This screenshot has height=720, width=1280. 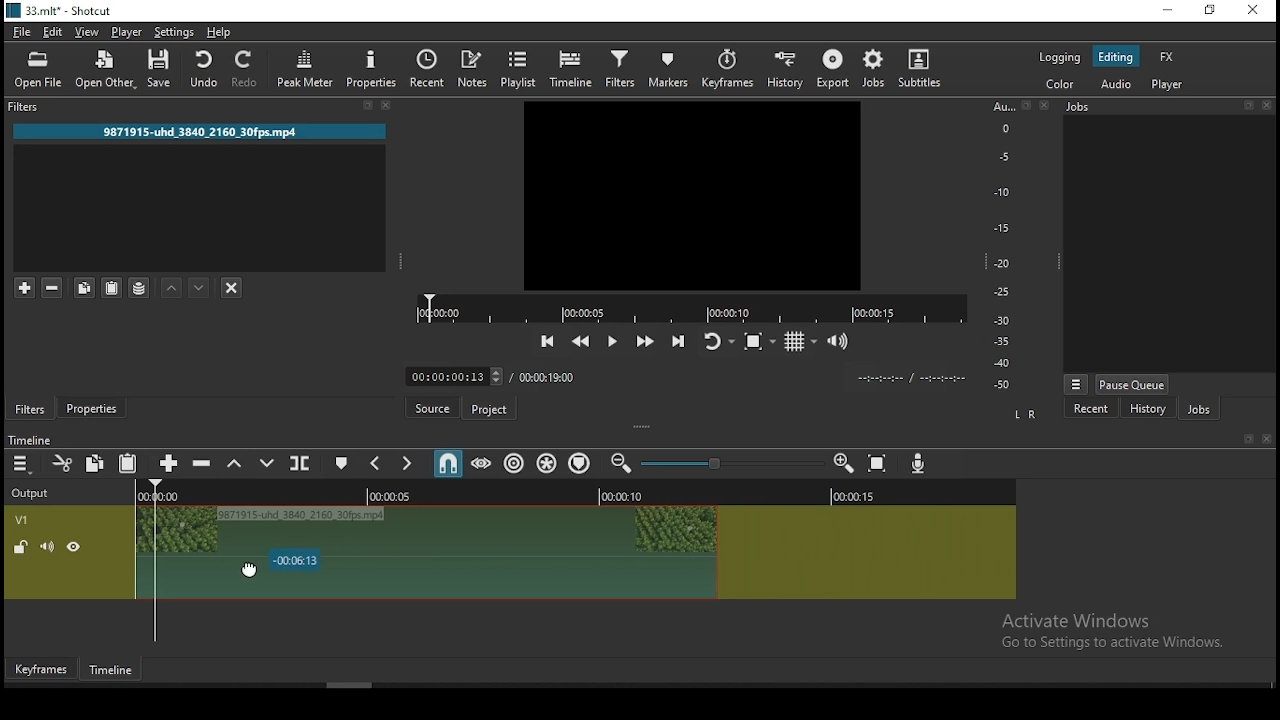 I want to click on settings, so click(x=174, y=32).